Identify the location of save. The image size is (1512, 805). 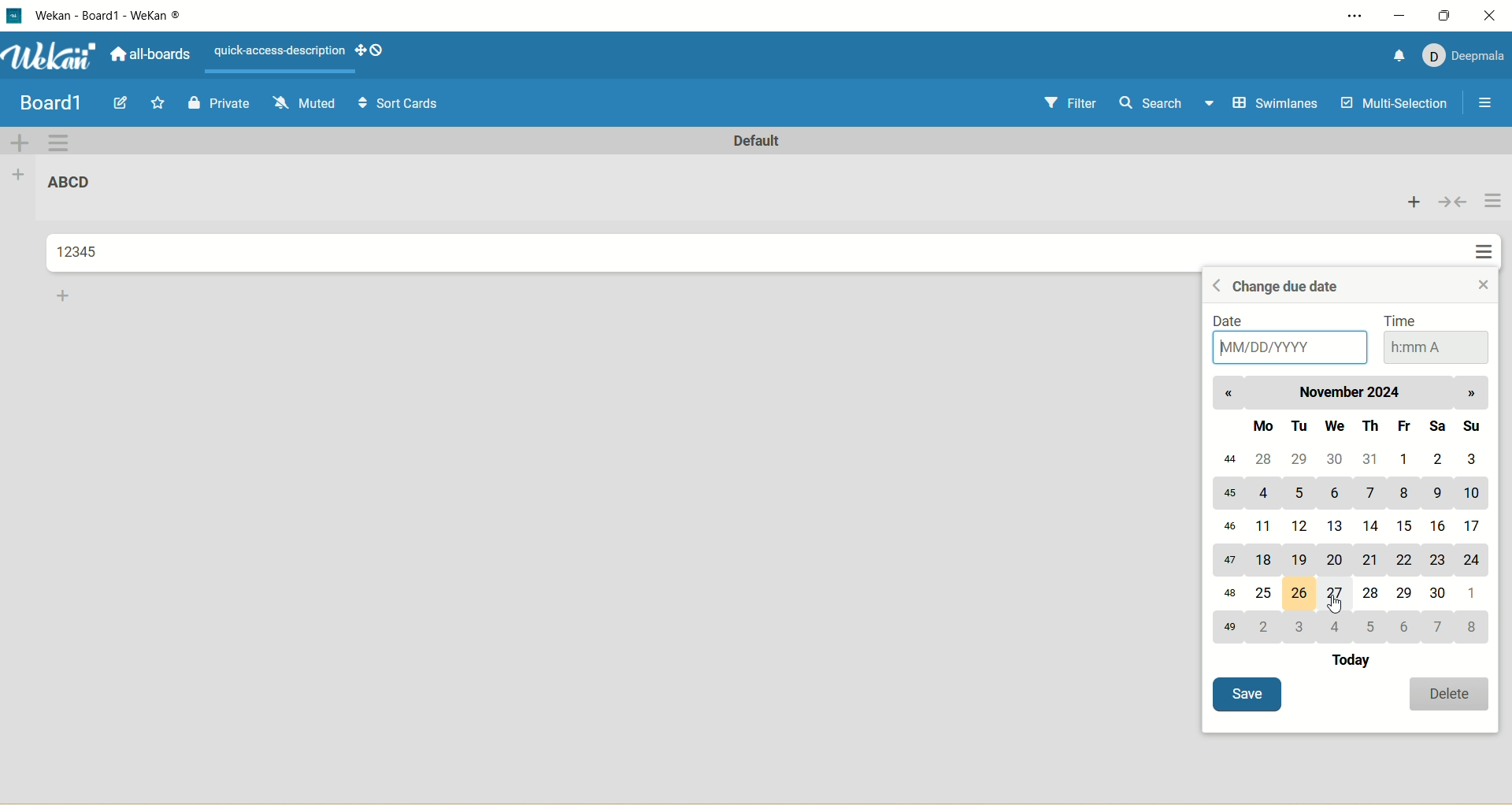
(1250, 696).